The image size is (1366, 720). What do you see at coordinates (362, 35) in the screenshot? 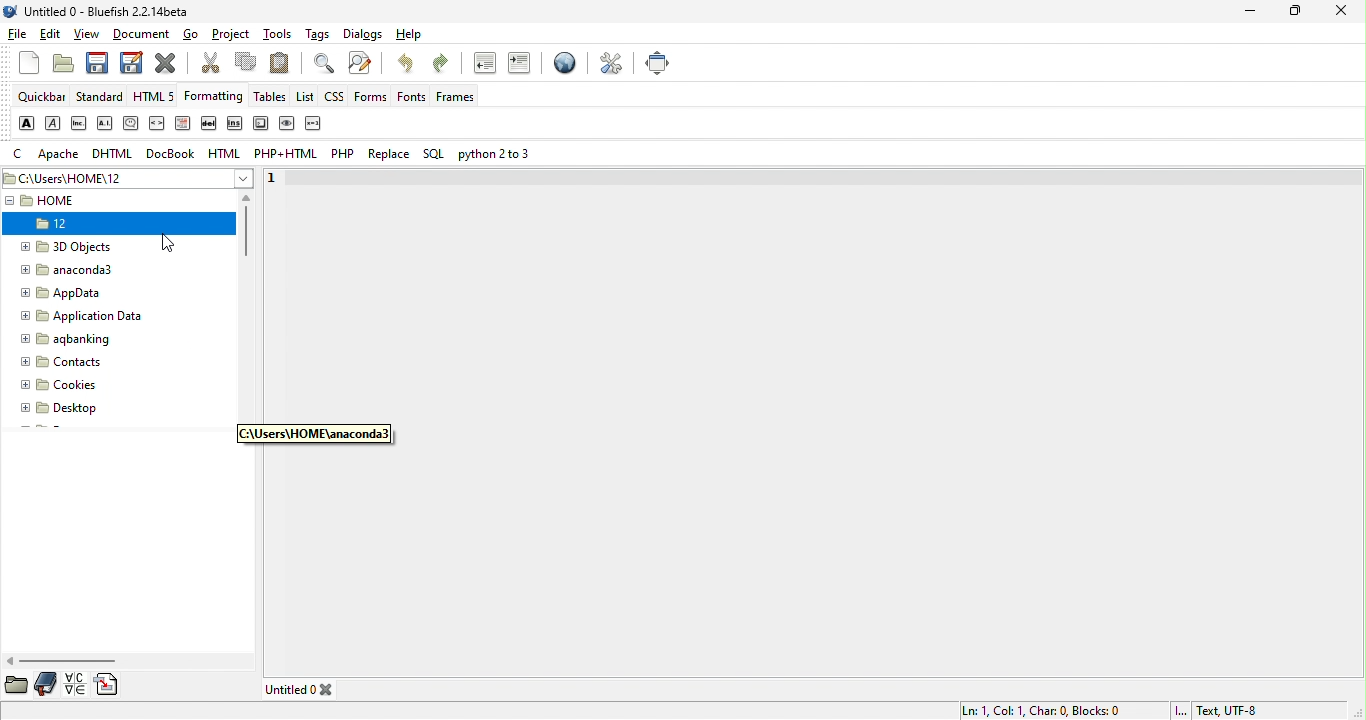
I see `dialogs` at bounding box center [362, 35].